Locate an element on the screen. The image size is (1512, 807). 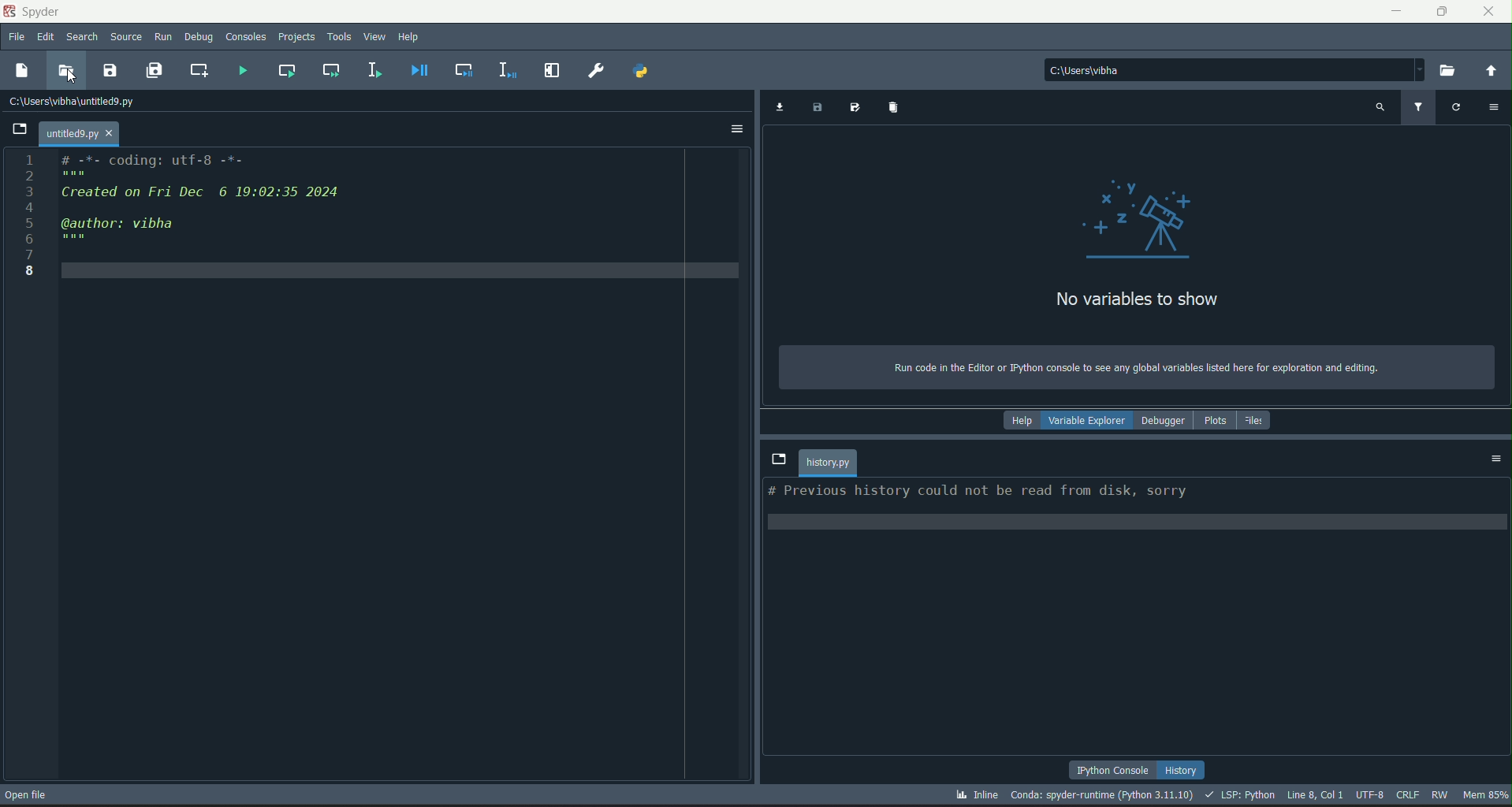
run selection is located at coordinates (377, 72).